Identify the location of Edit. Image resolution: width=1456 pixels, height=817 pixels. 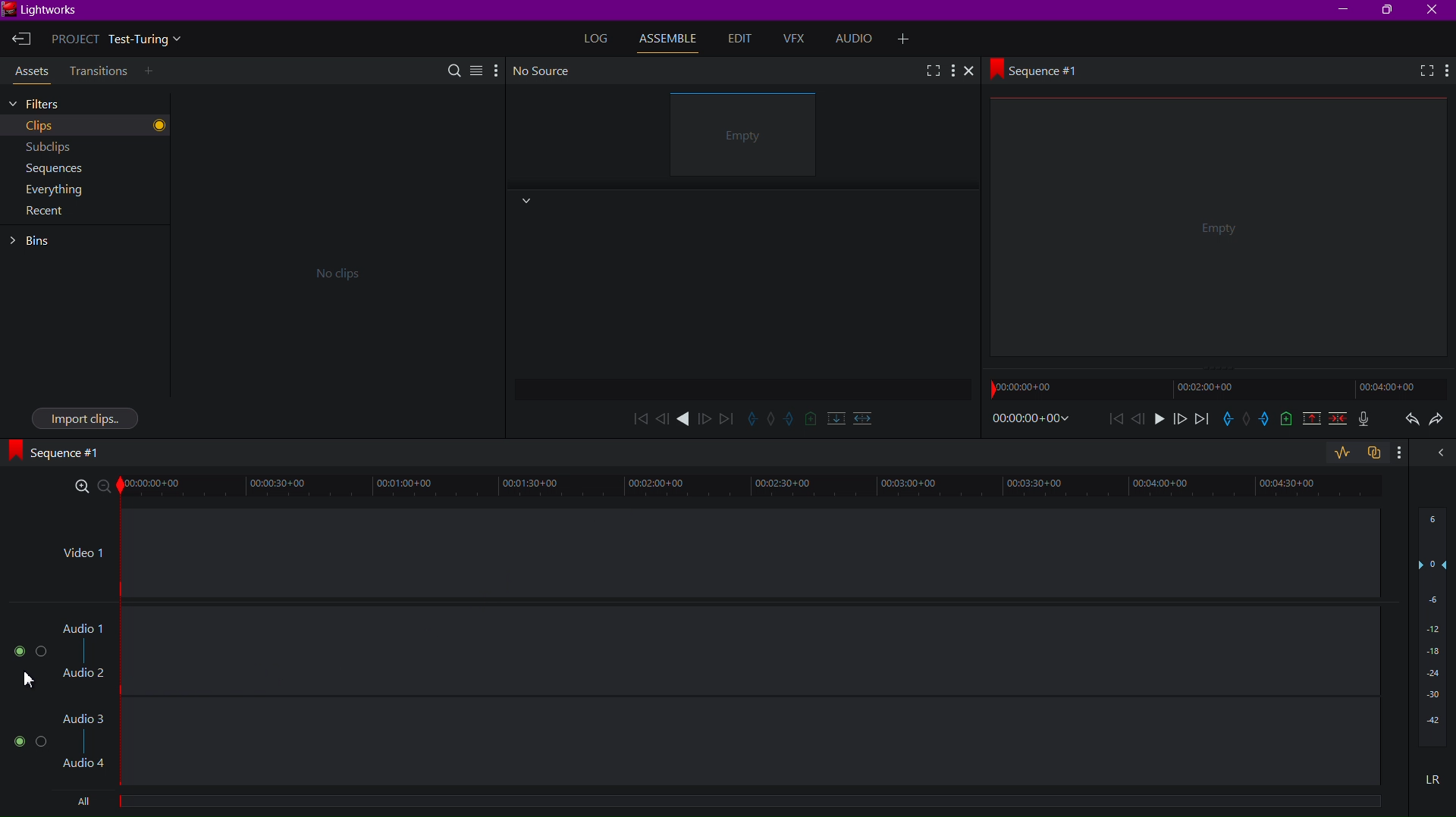
(739, 39).